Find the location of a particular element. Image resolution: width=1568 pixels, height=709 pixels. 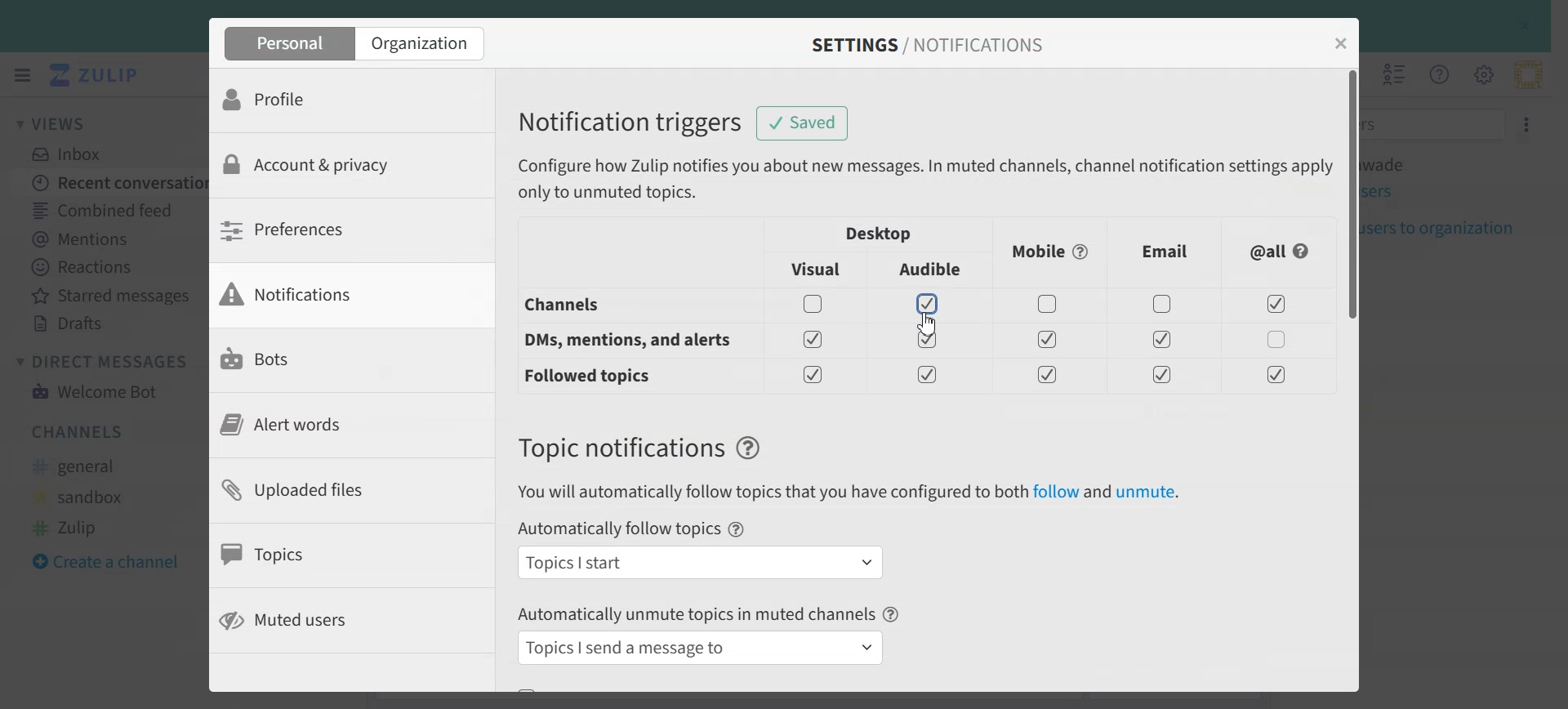

Topics is located at coordinates (330, 554).